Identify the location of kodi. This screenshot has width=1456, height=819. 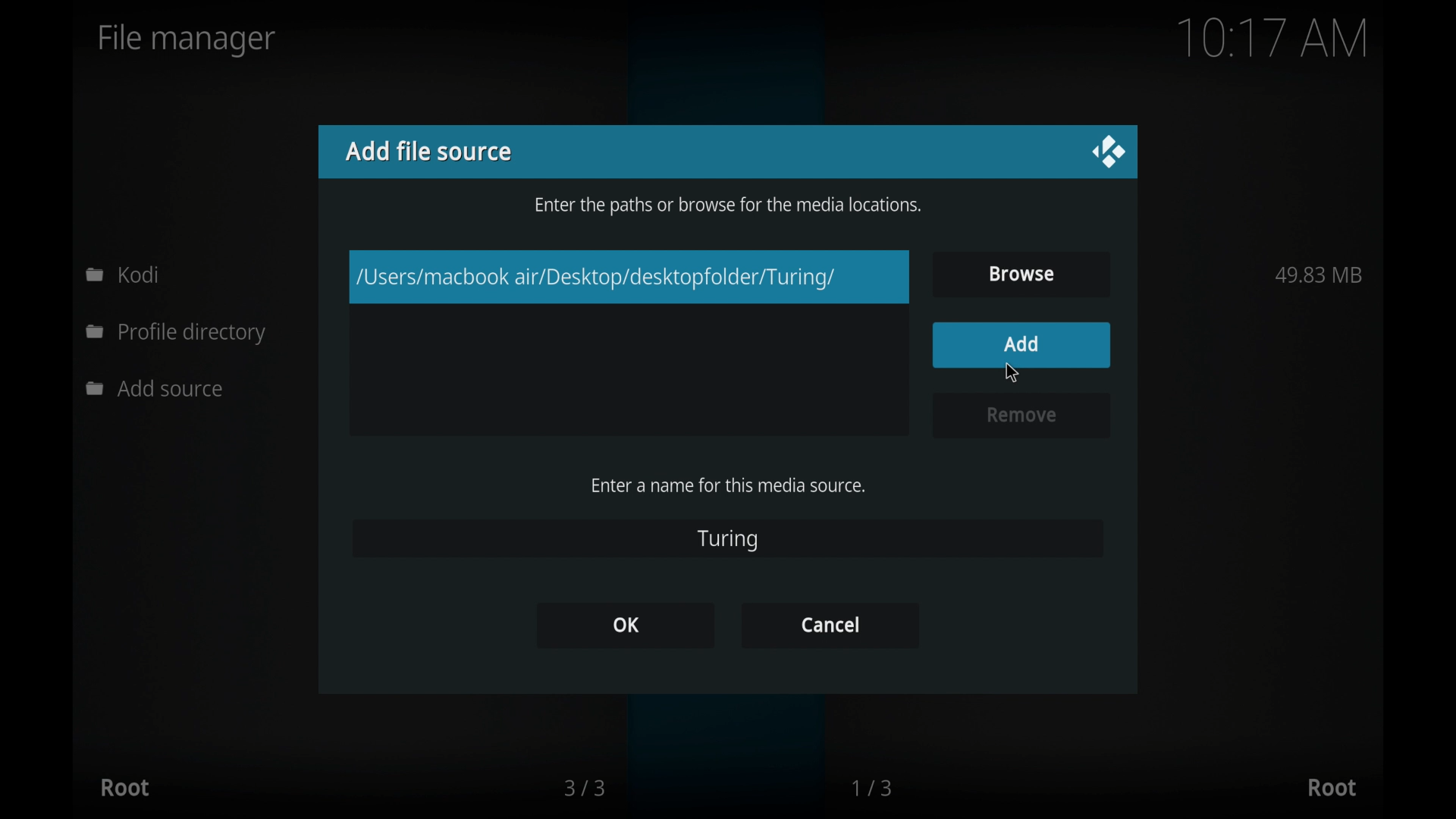
(123, 274).